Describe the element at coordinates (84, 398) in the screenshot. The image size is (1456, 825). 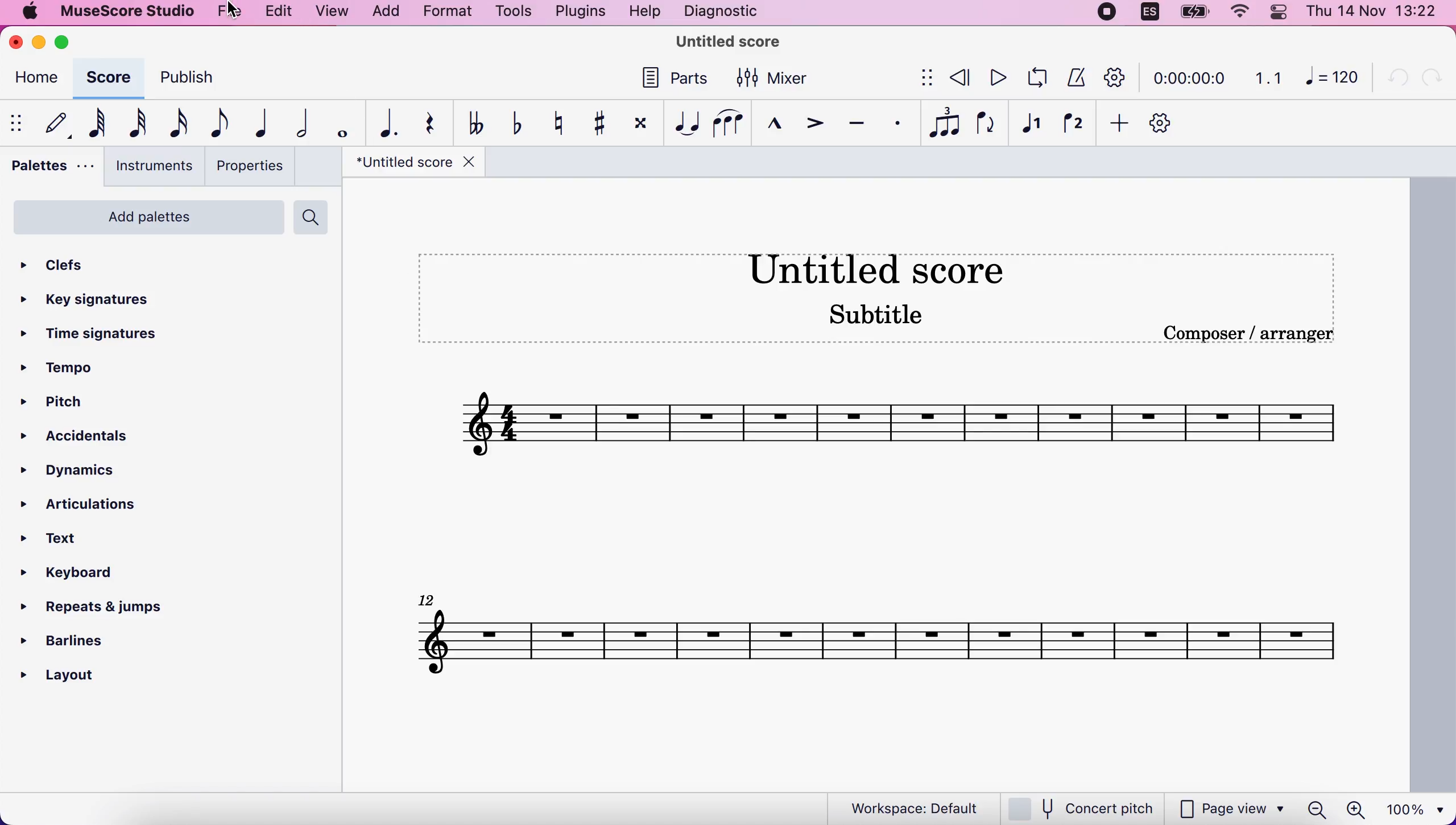
I see `pitch` at that location.